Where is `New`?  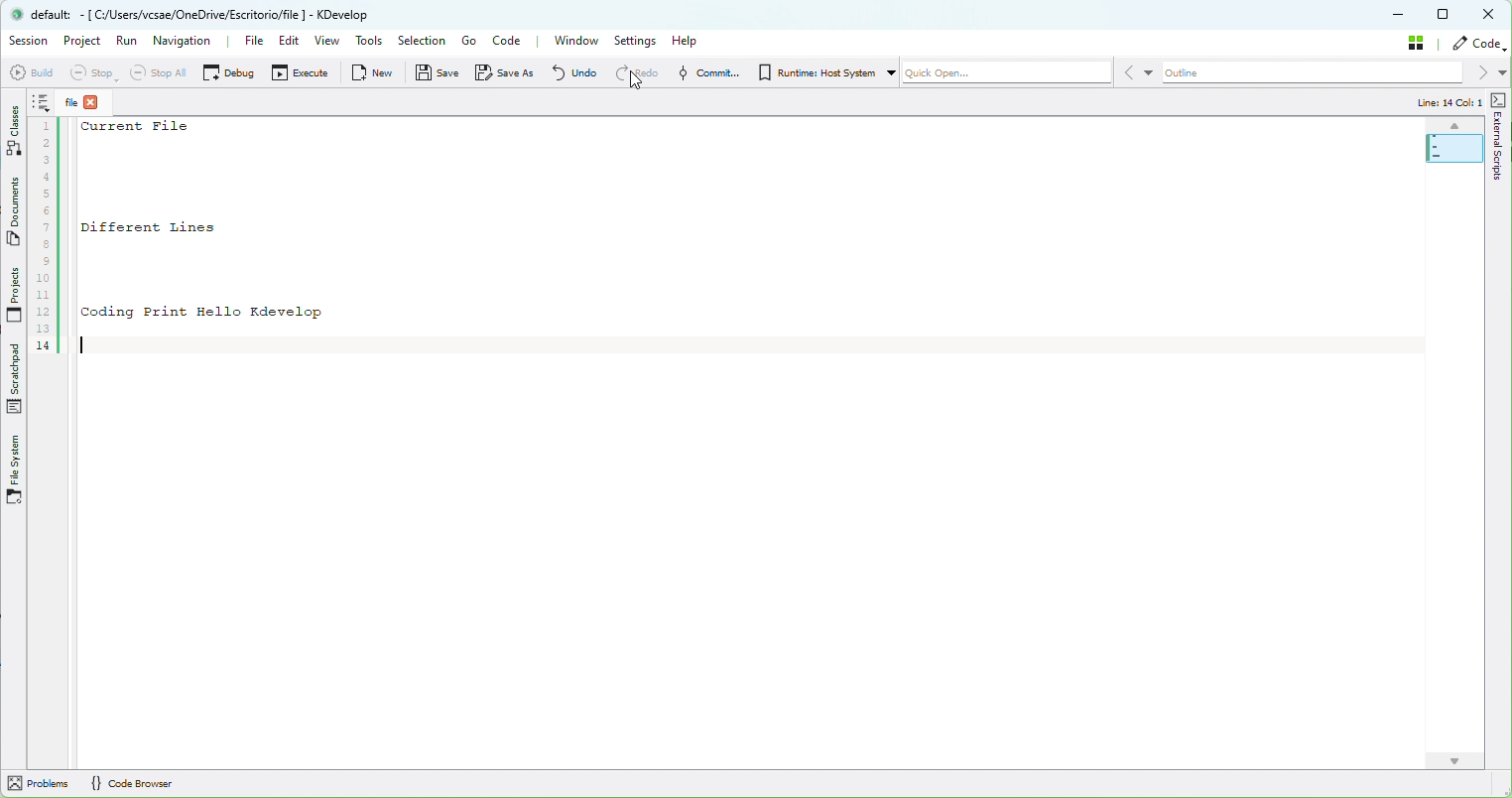 New is located at coordinates (374, 72).